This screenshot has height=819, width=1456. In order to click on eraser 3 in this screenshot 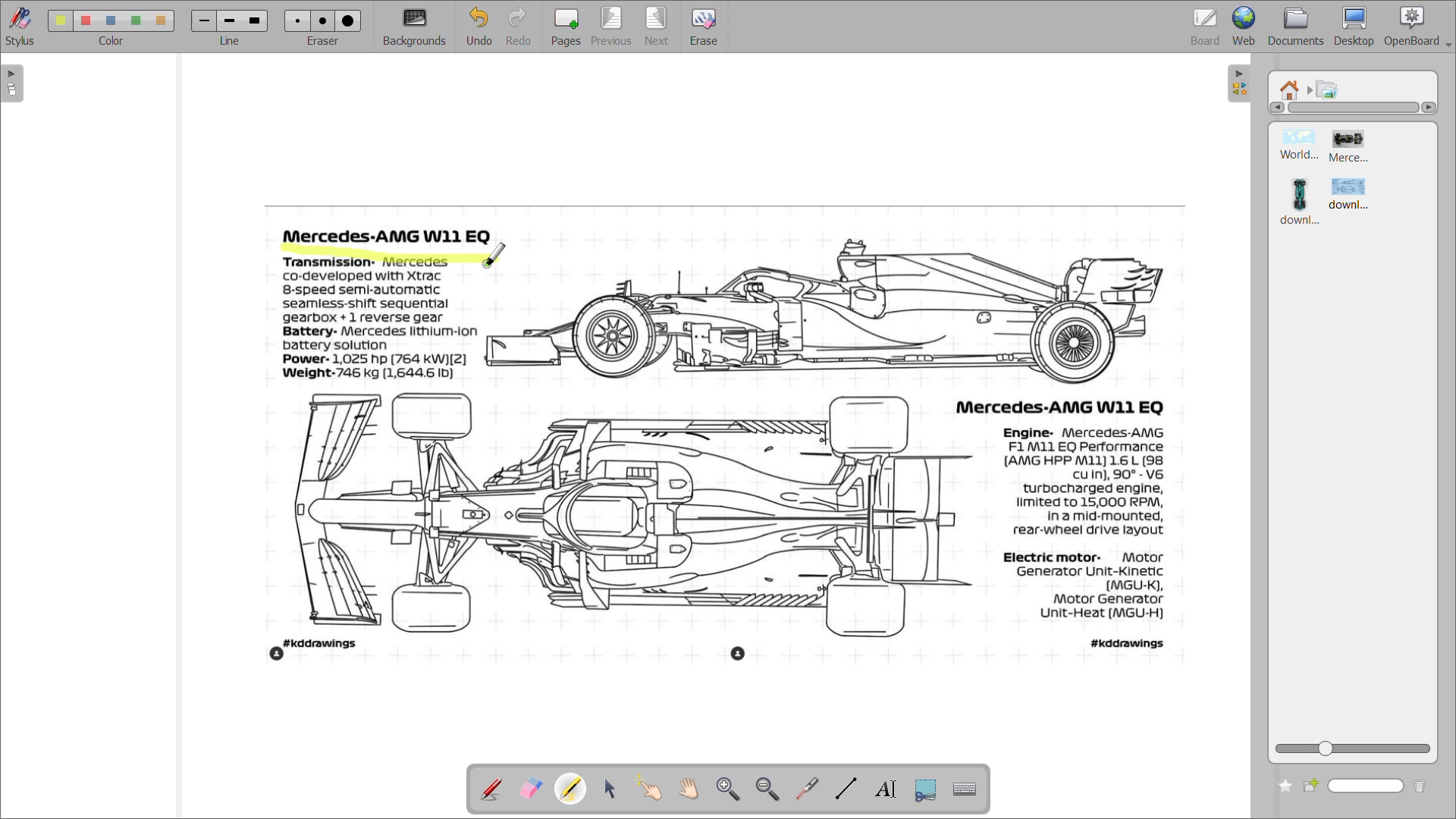, I will do `click(347, 20)`.